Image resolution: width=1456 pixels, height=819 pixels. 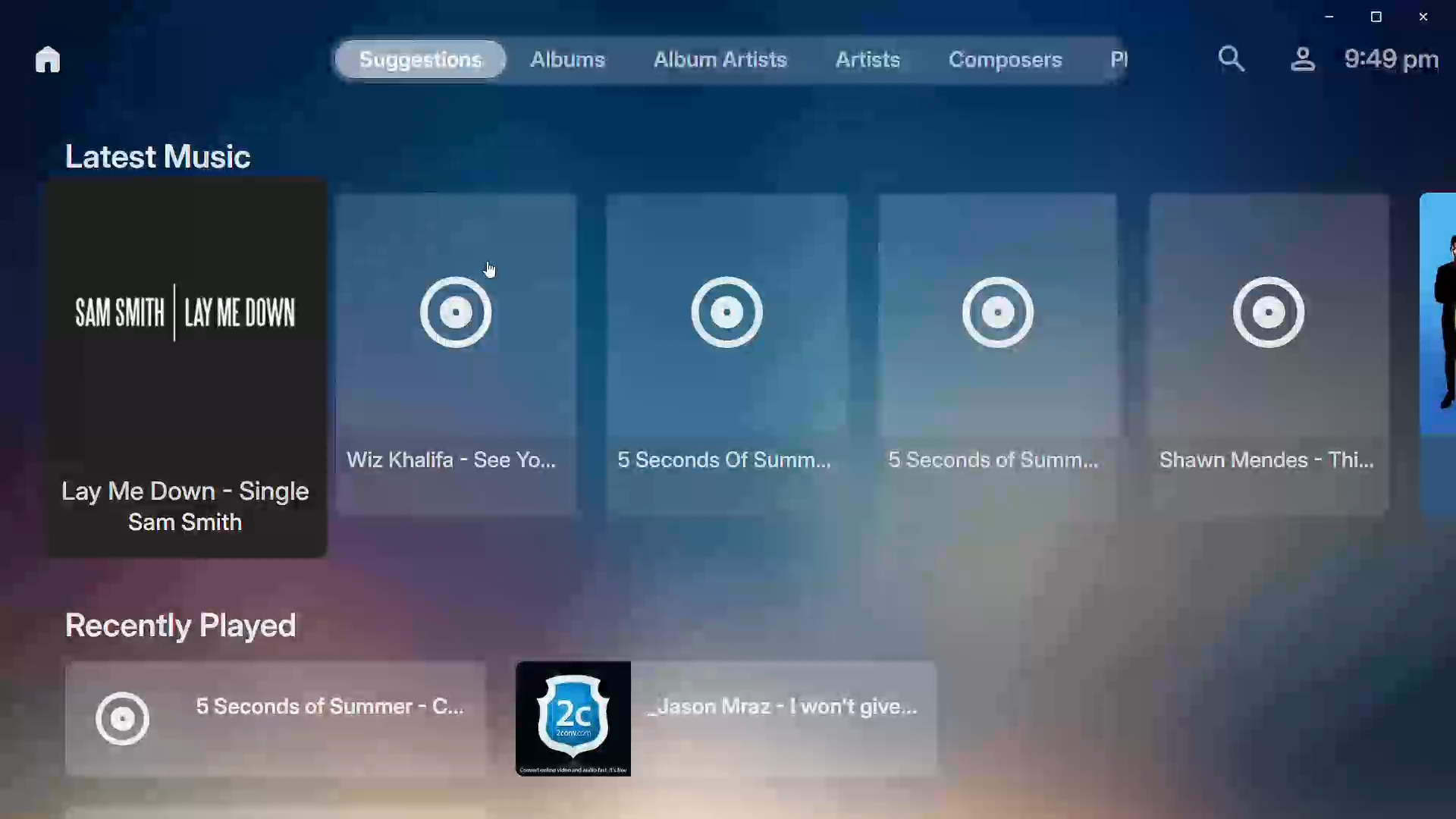 What do you see at coordinates (994, 62) in the screenshot?
I see `Composers` at bounding box center [994, 62].